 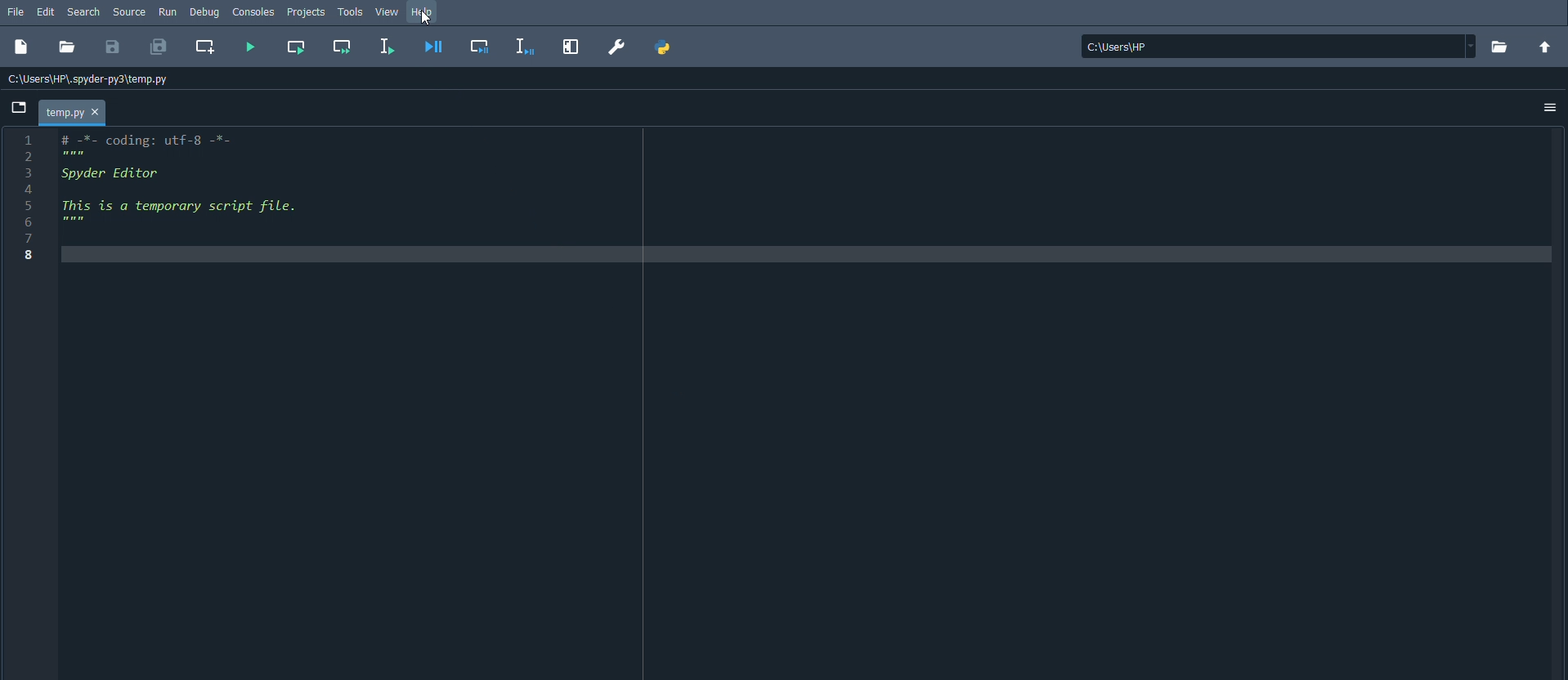 What do you see at coordinates (253, 12) in the screenshot?
I see `Consoles` at bounding box center [253, 12].